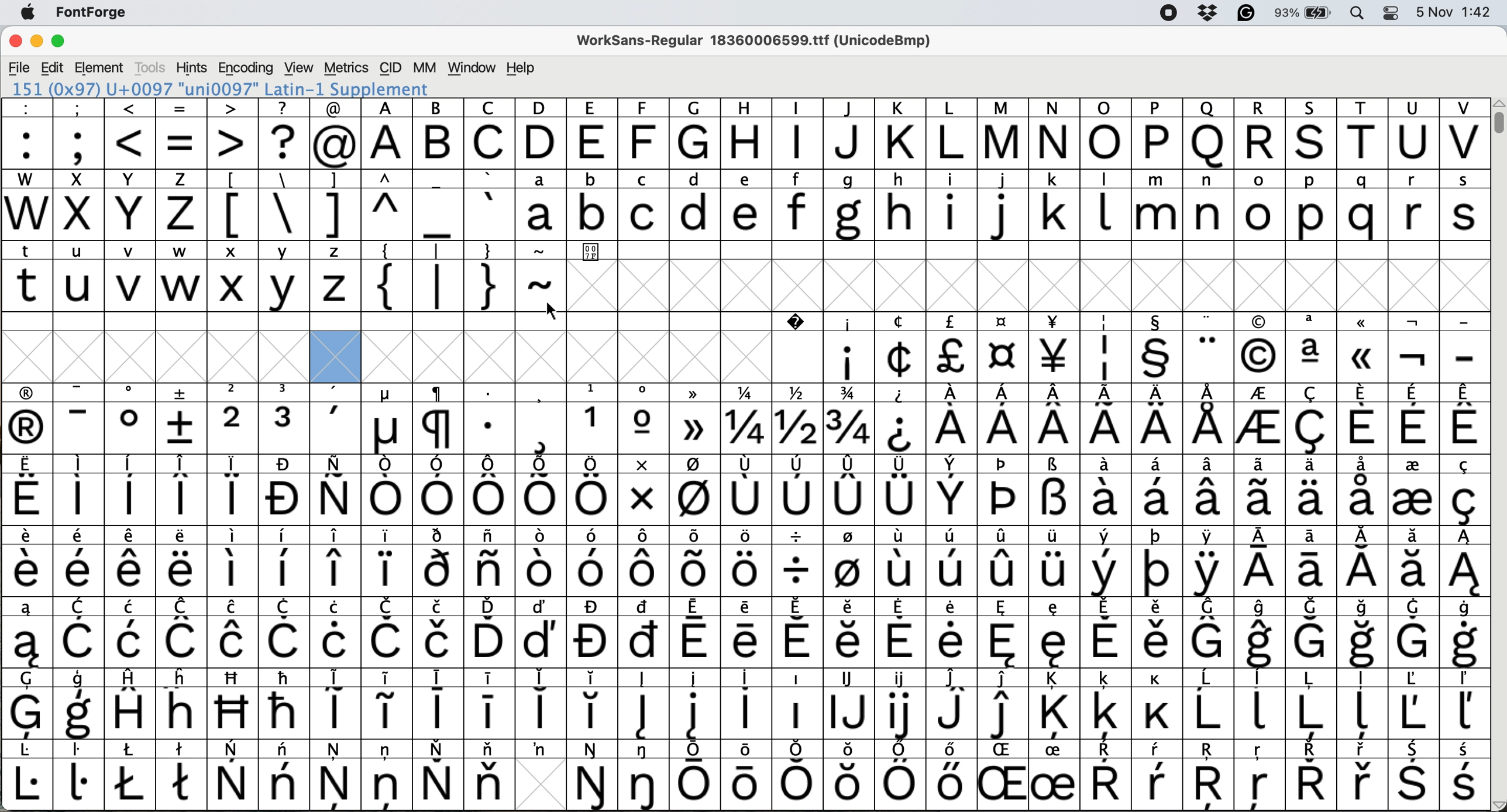  Describe the element at coordinates (1466, 418) in the screenshot. I see `symbol` at that location.